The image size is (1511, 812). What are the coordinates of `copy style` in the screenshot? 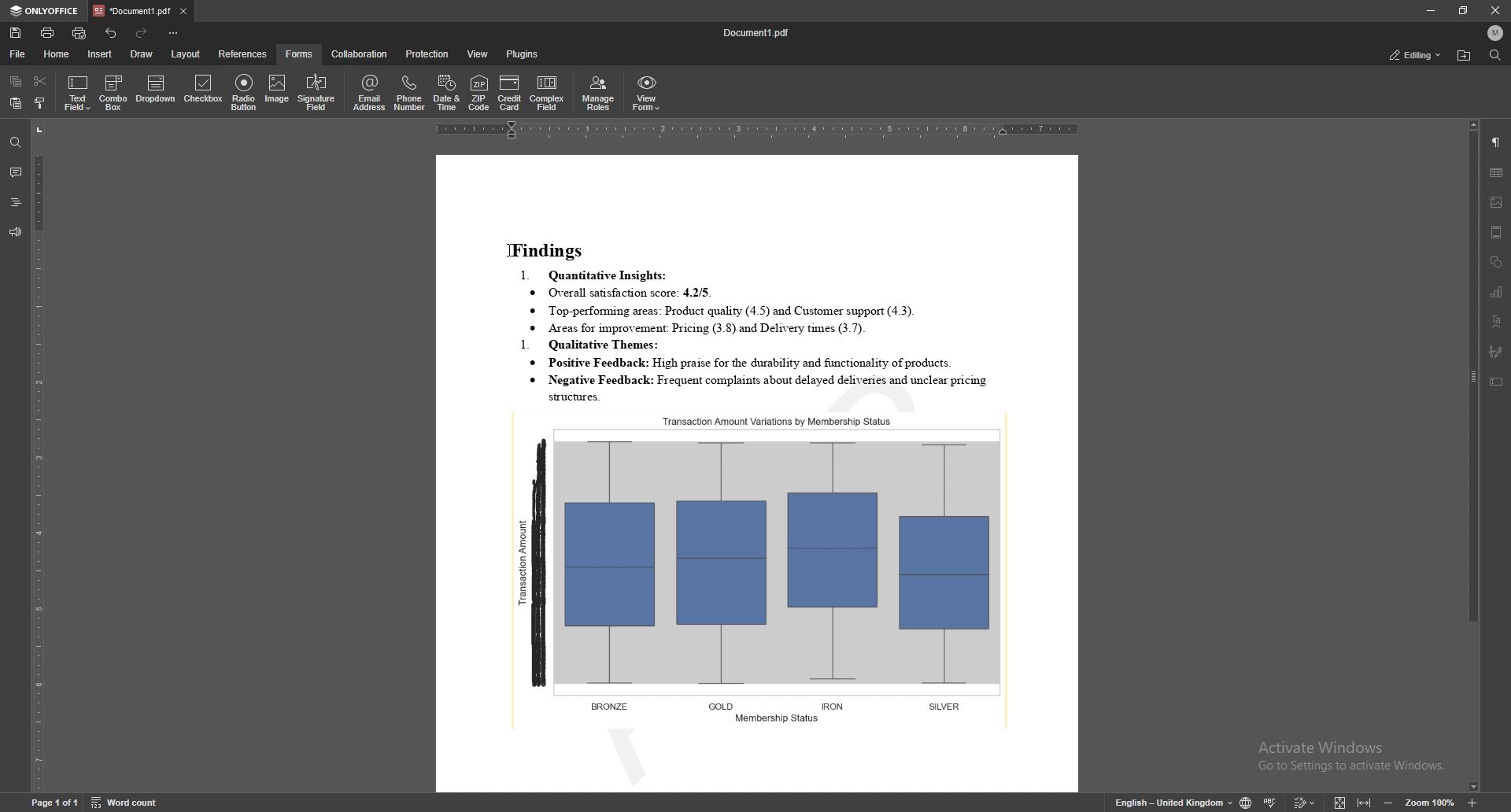 It's located at (42, 102).